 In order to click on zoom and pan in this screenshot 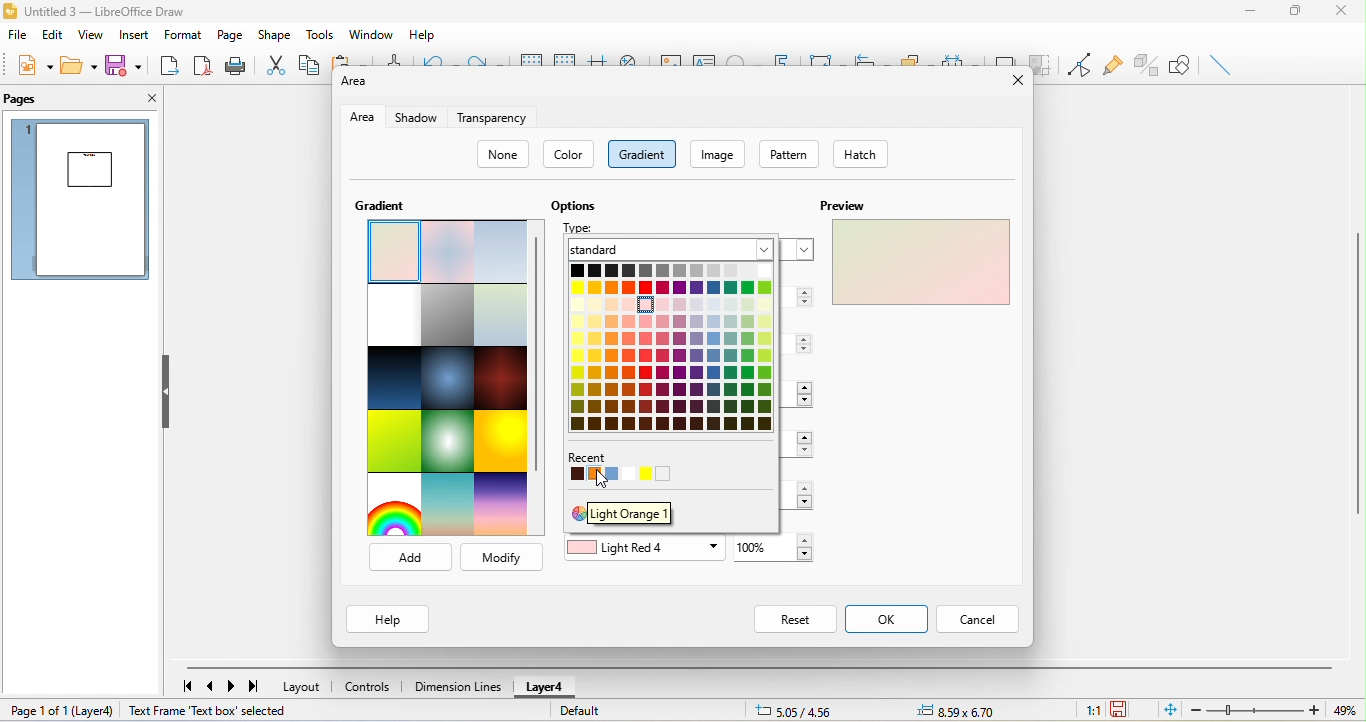, I will do `click(631, 58)`.